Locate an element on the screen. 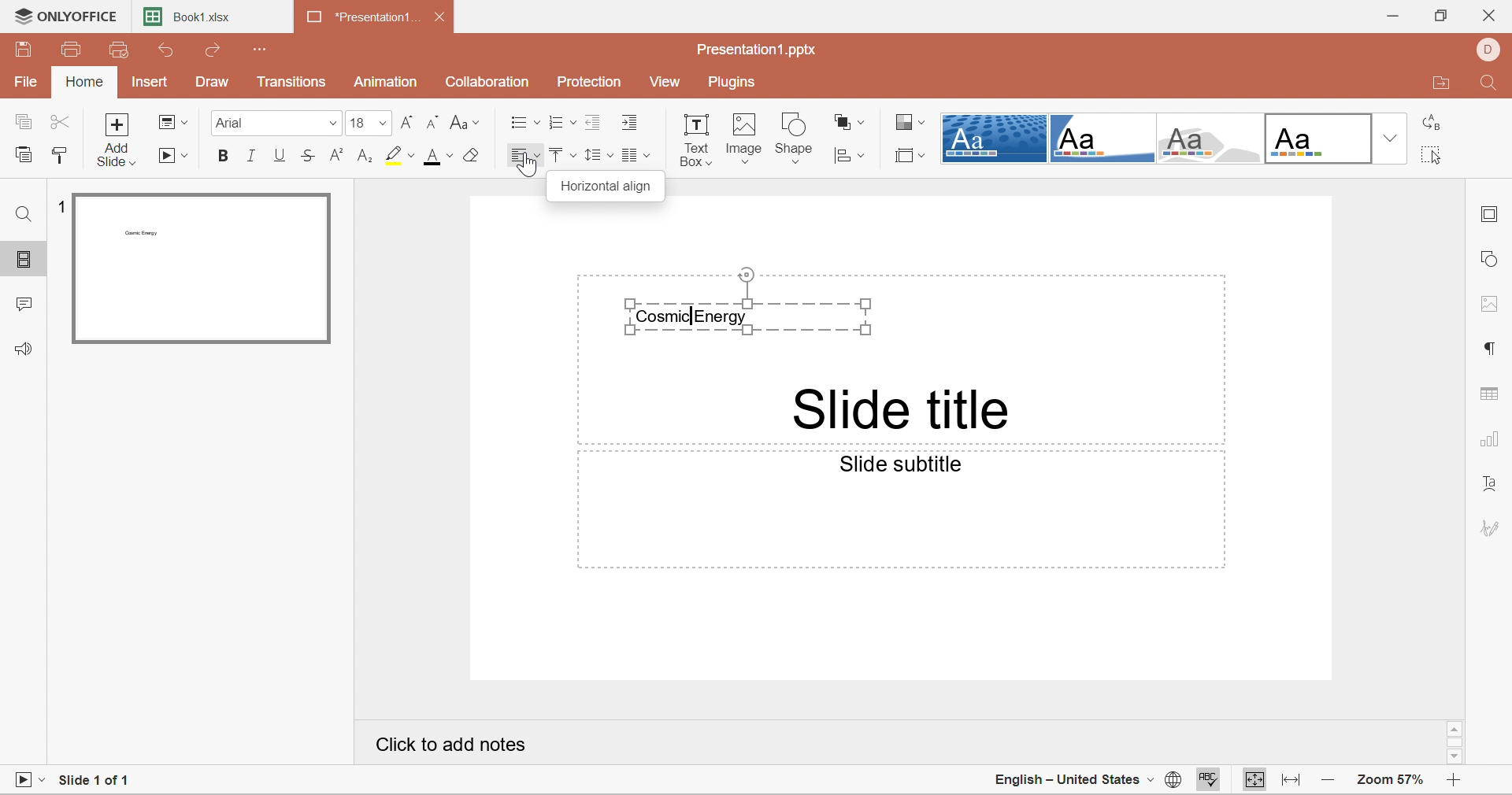  Text Box is located at coordinates (697, 138).